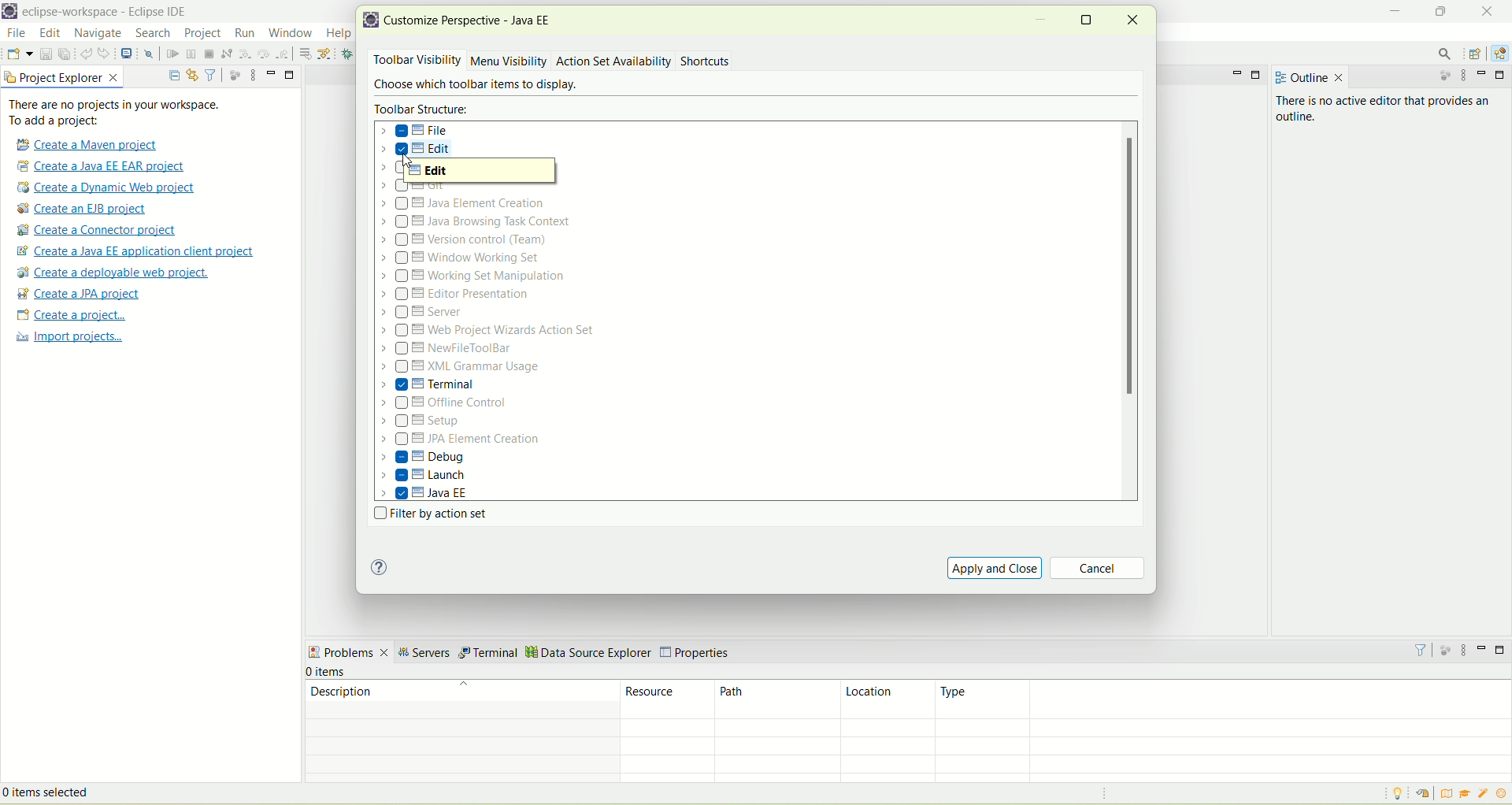  I want to click on disconnect, so click(226, 54).